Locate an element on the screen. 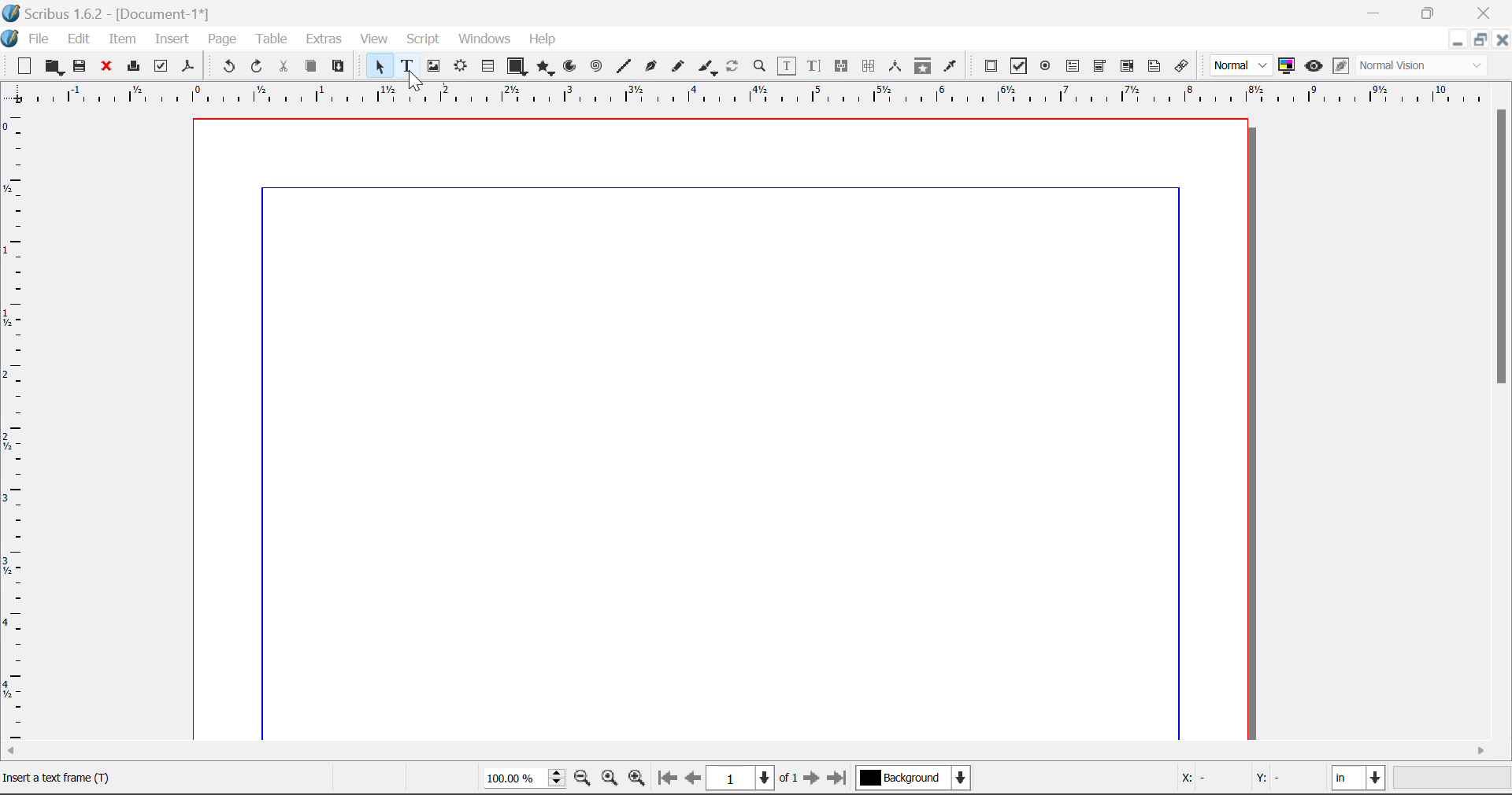 This screenshot has width=1512, height=795. Page 1 of 1 is located at coordinates (754, 778).